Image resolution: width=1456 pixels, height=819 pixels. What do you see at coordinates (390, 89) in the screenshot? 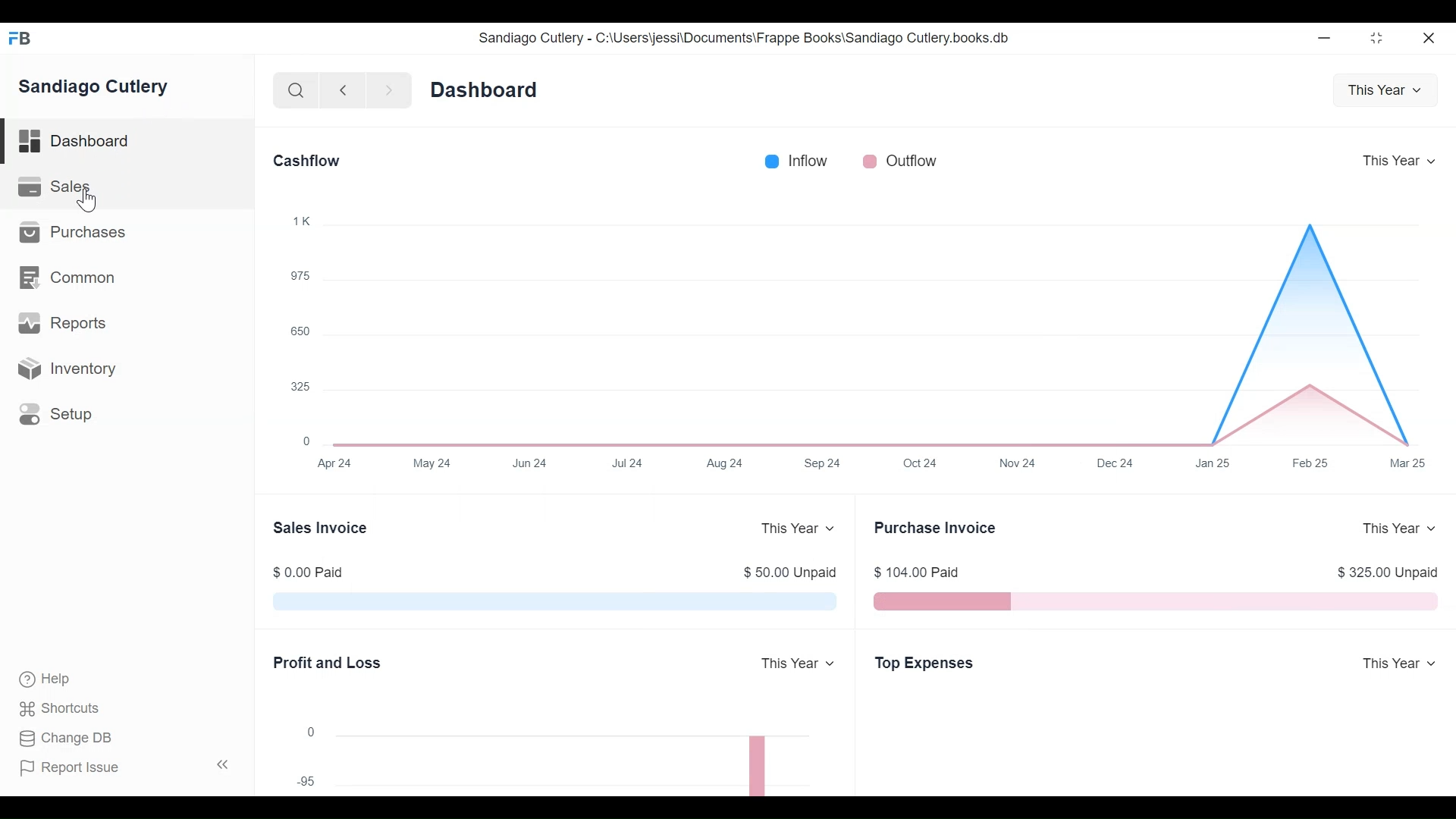
I see `forward` at bounding box center [390, 89].